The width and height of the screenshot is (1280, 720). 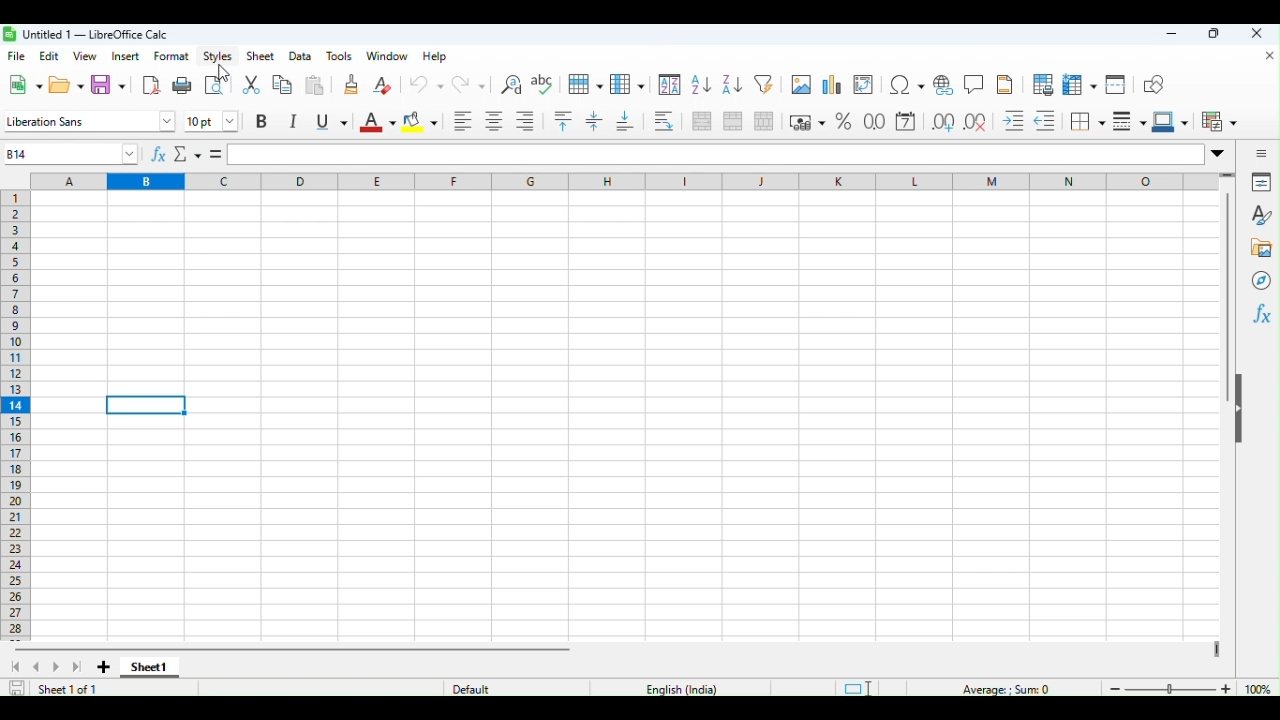 I want to click on Format as date, so click(x=908, y=120).